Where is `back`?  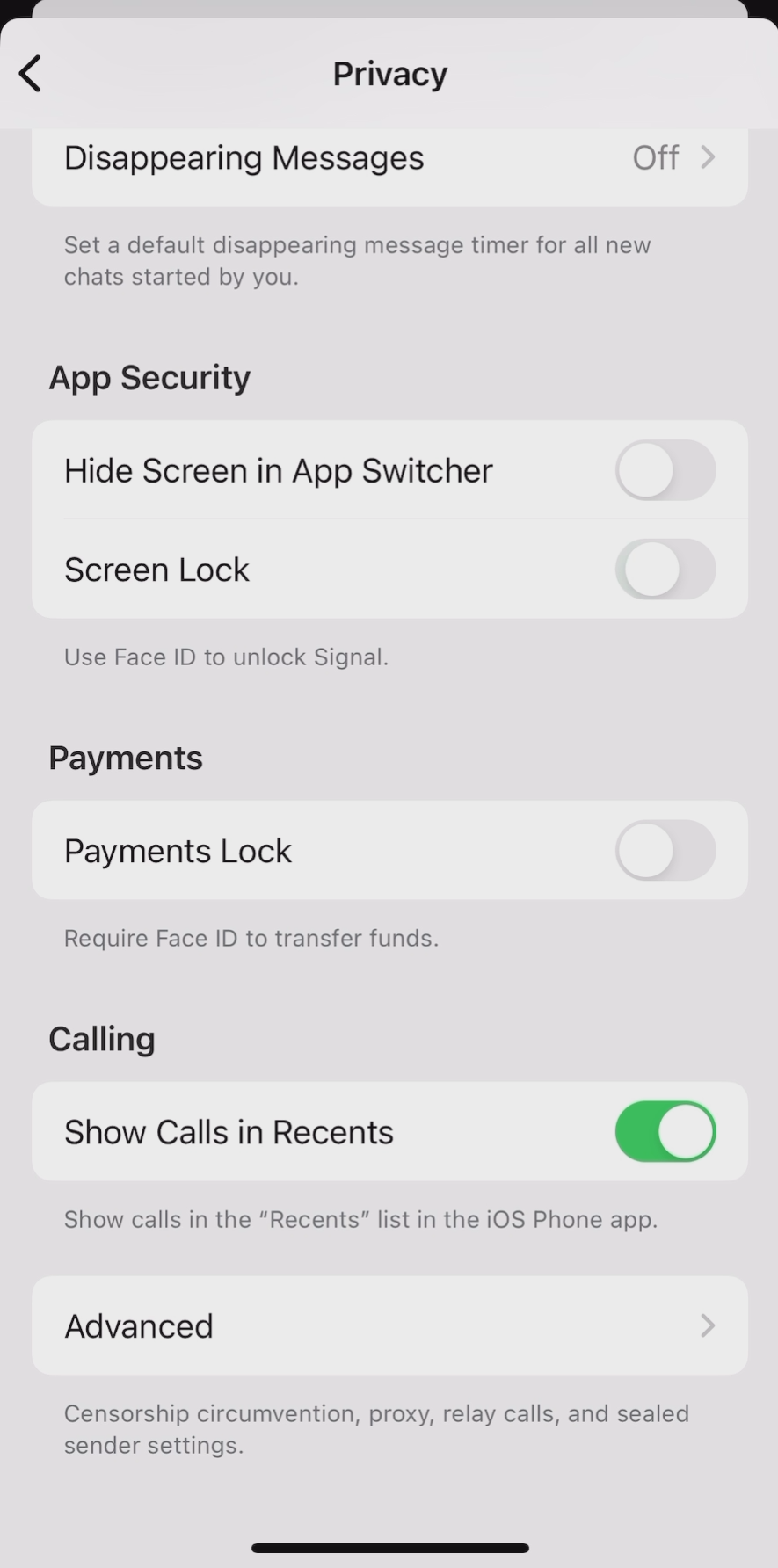 back is located at coordinates (33, 76).